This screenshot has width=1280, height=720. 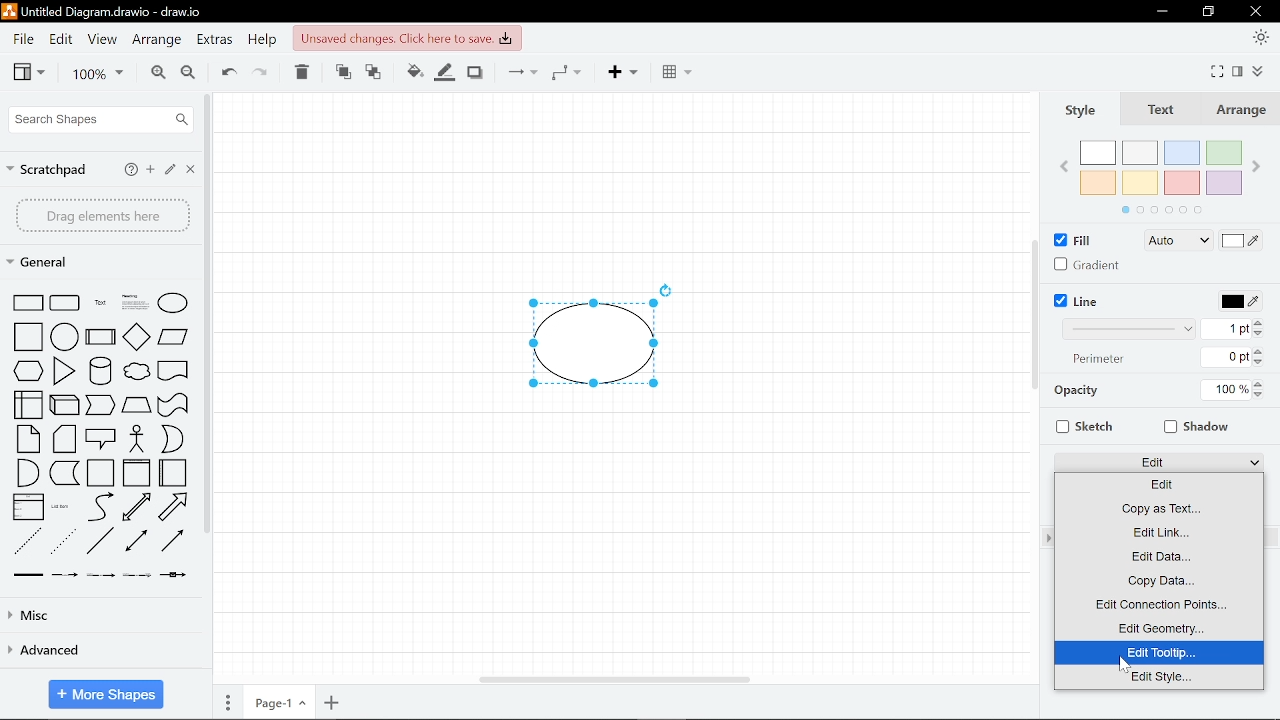 I want to click on Cursor, so click(x=1126, y=661).